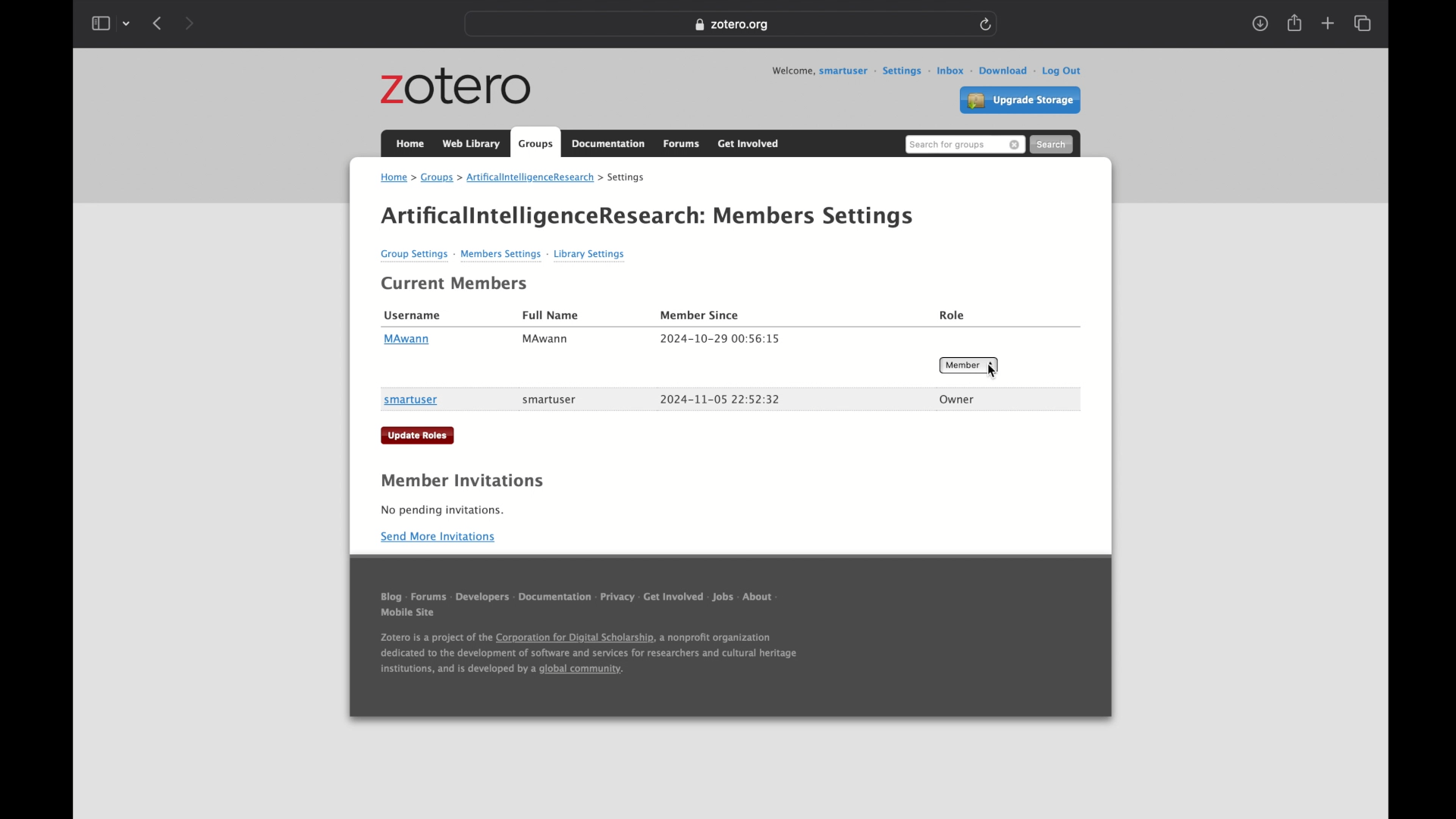 The width and height of the screenshot is (1456, 819). I want to click on forums, so click(682, 145).